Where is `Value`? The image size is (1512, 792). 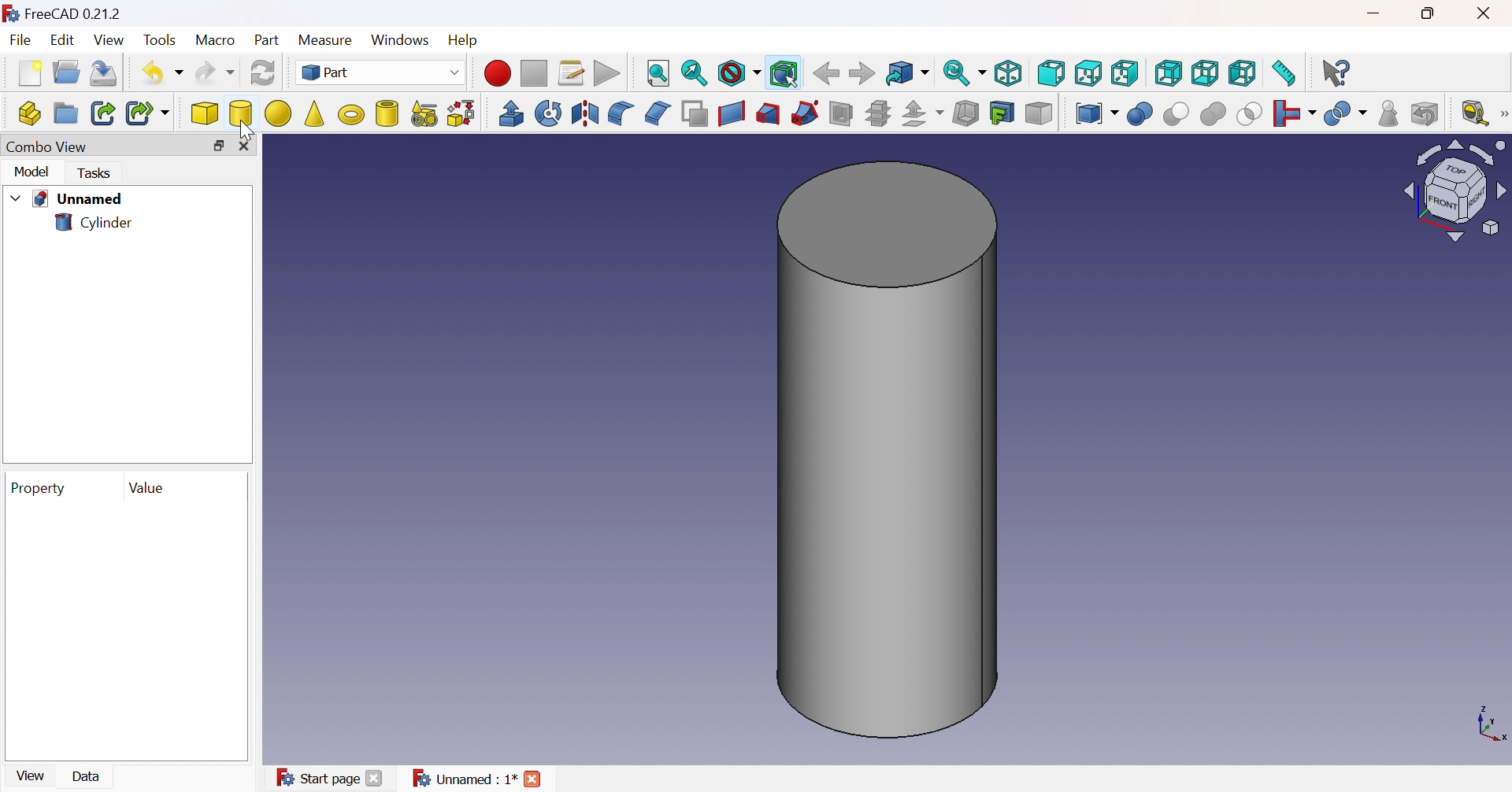
Value is located at coordinates (149, 489).